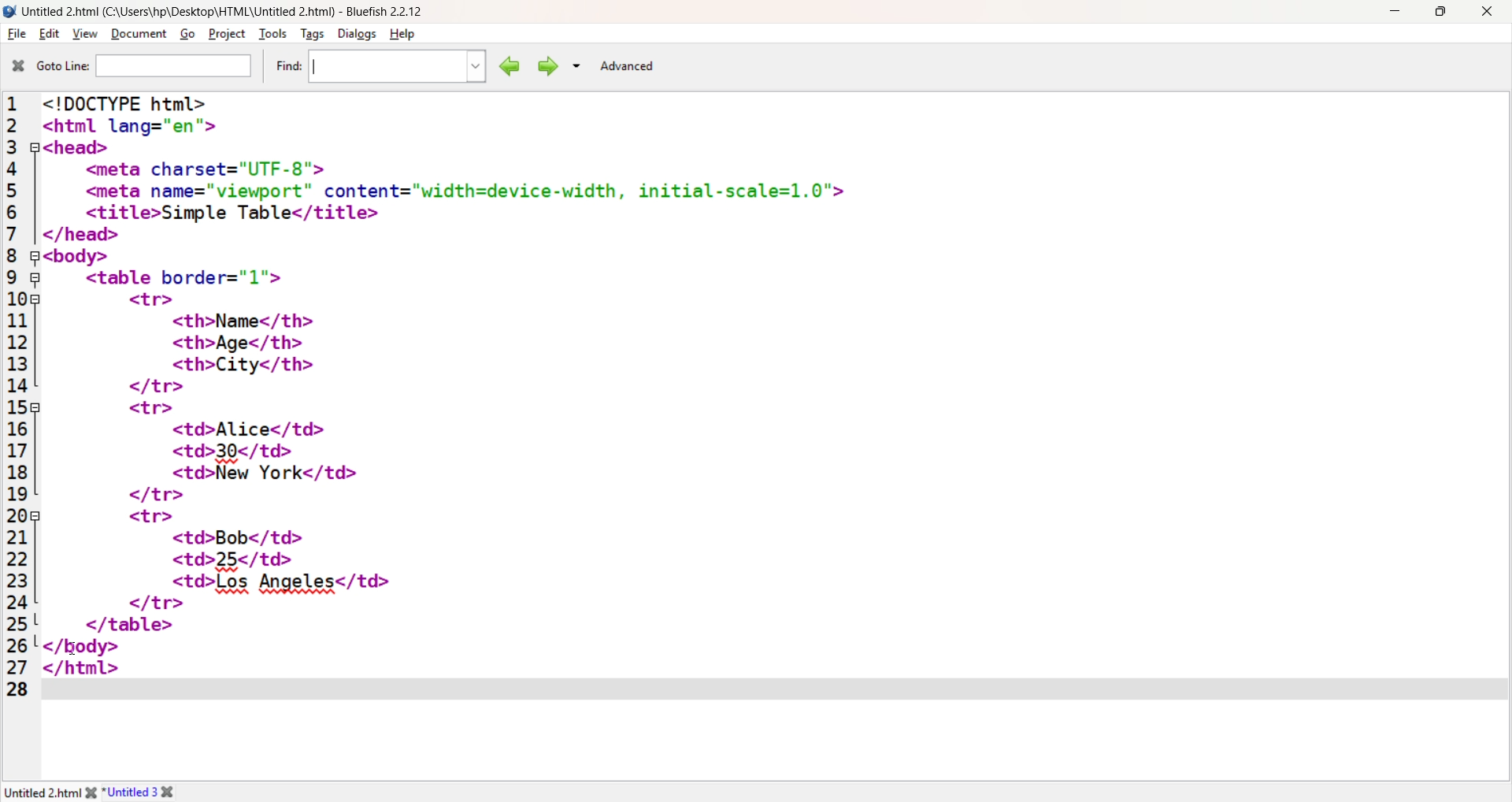  I want to click on View, so click(83, 34).